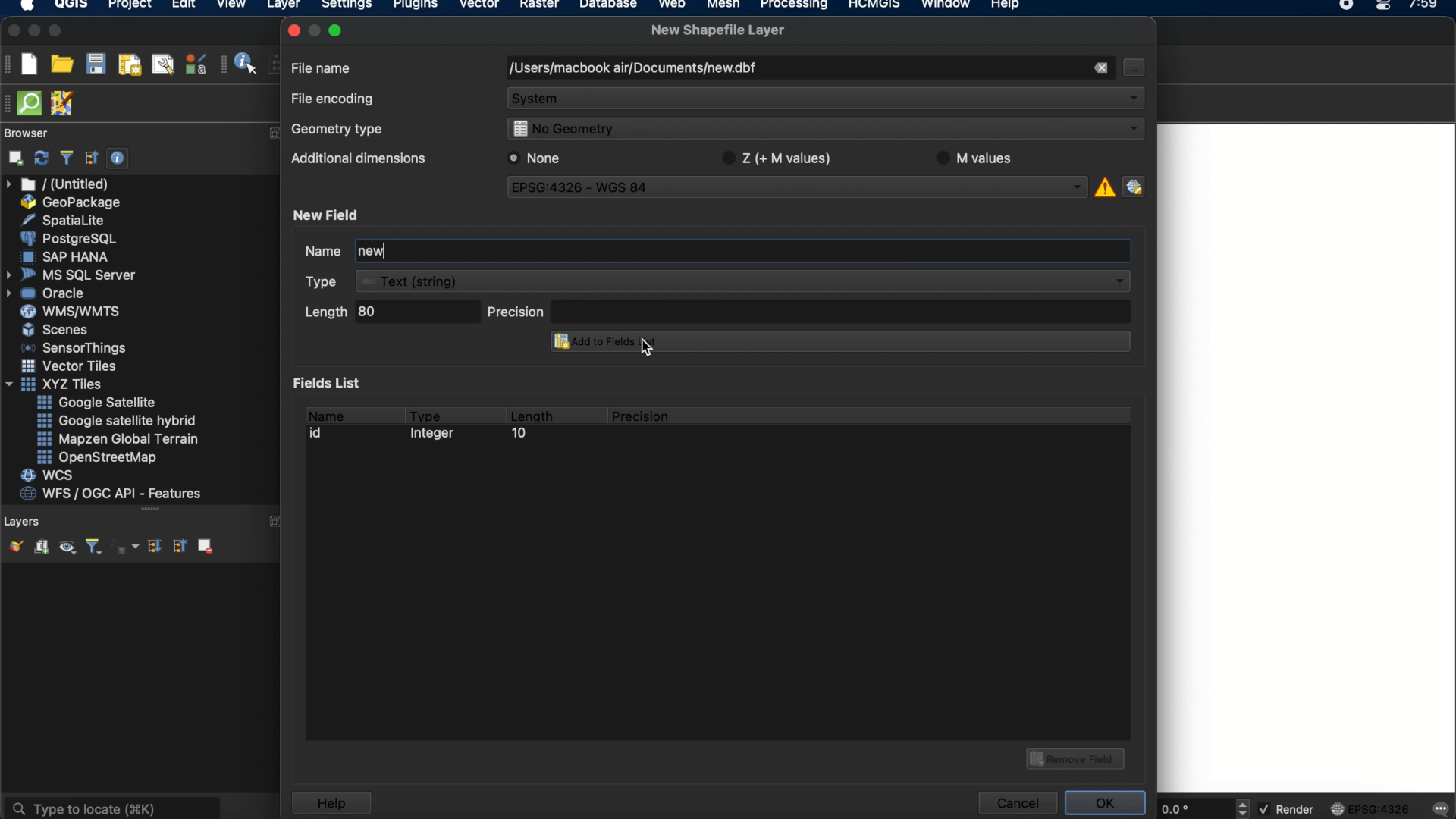  What do you see at coordinates (72, 6) in the screenshot?
I see `QGIS` at bounding box center [72, 6].